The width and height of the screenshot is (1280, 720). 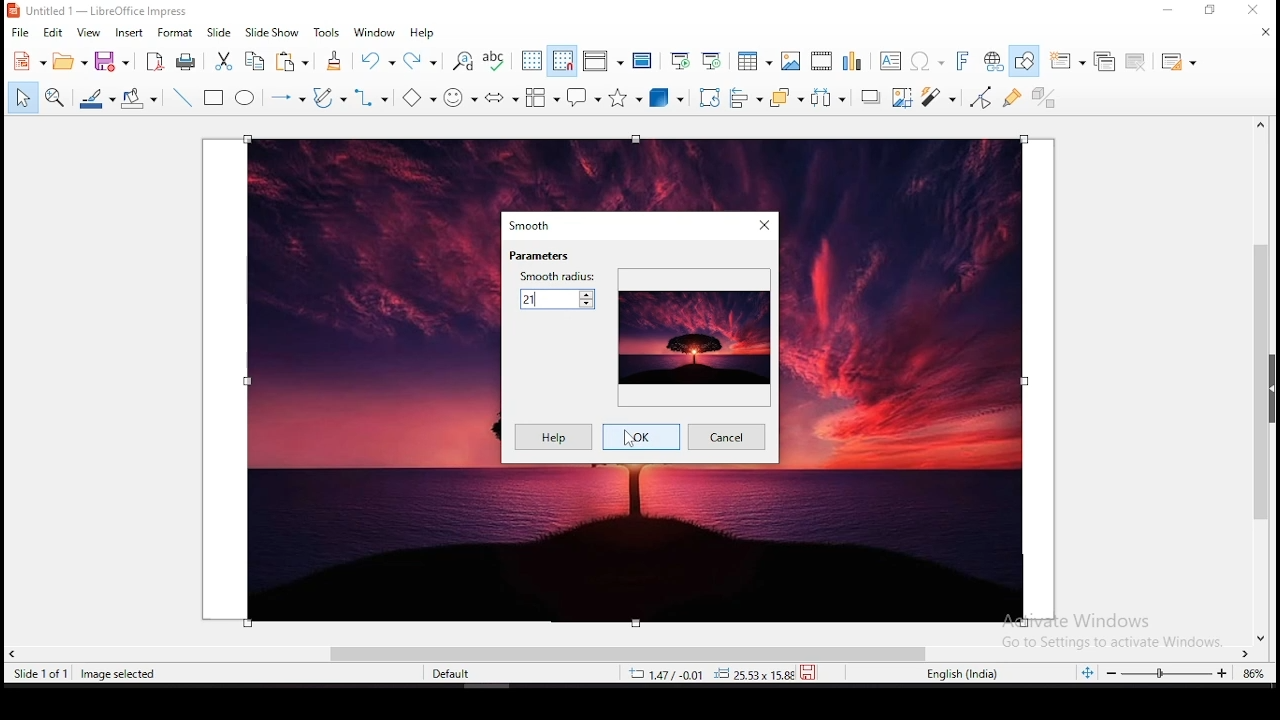 I want to click on crop image, so click(x=904, y=98).